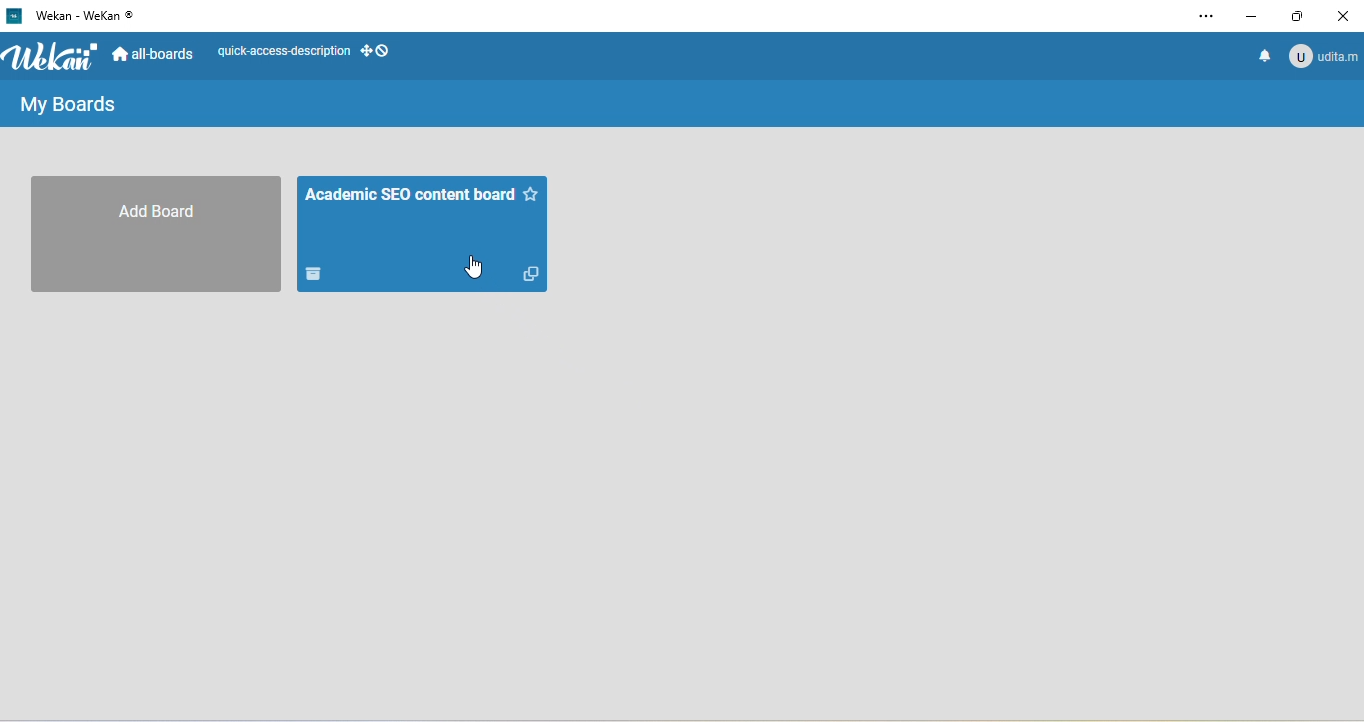 This screenshot has height=722, width=1364. I want to click on logo, so click(55, 57).